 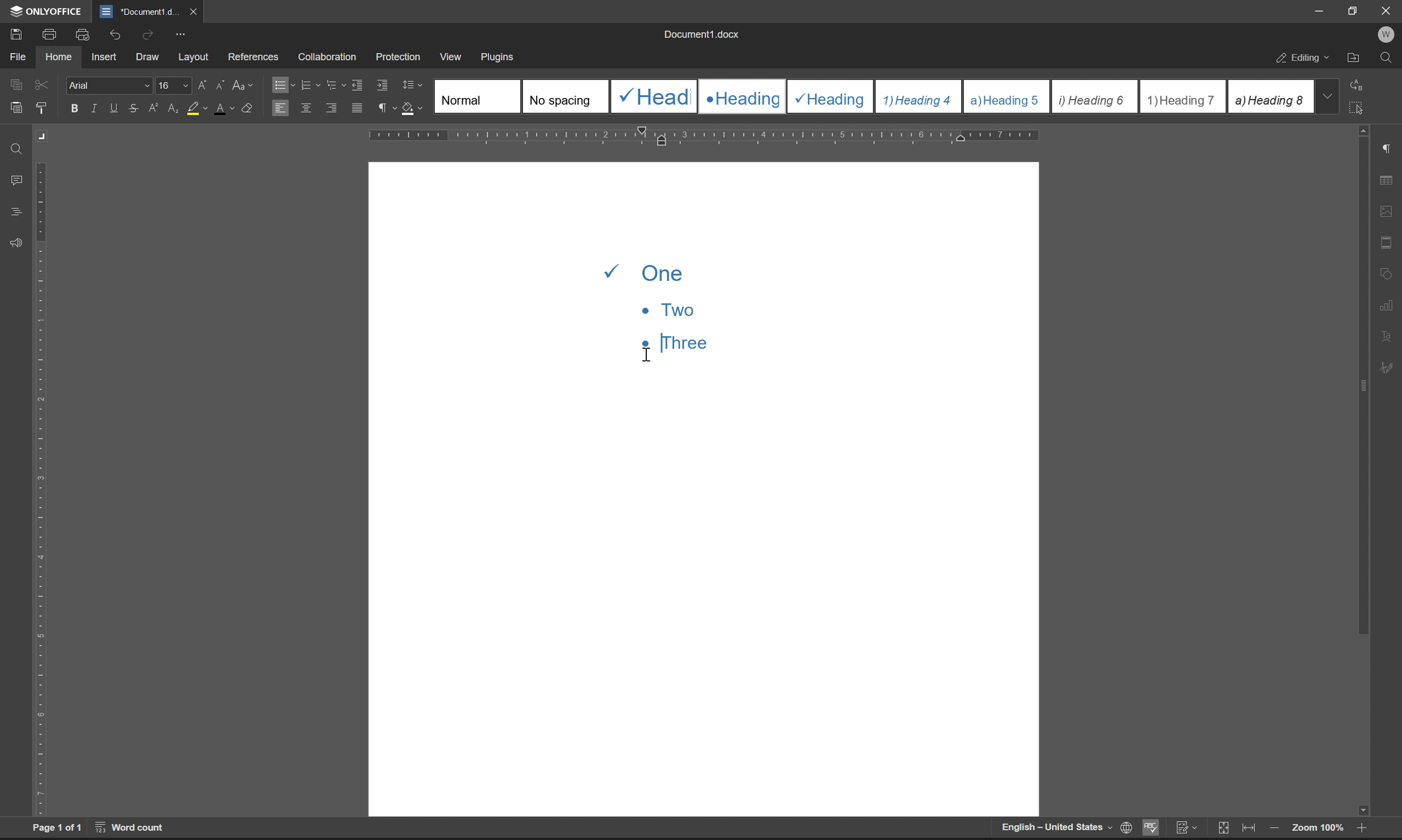 I want to click on image settings, so click(x=1386, y=208).